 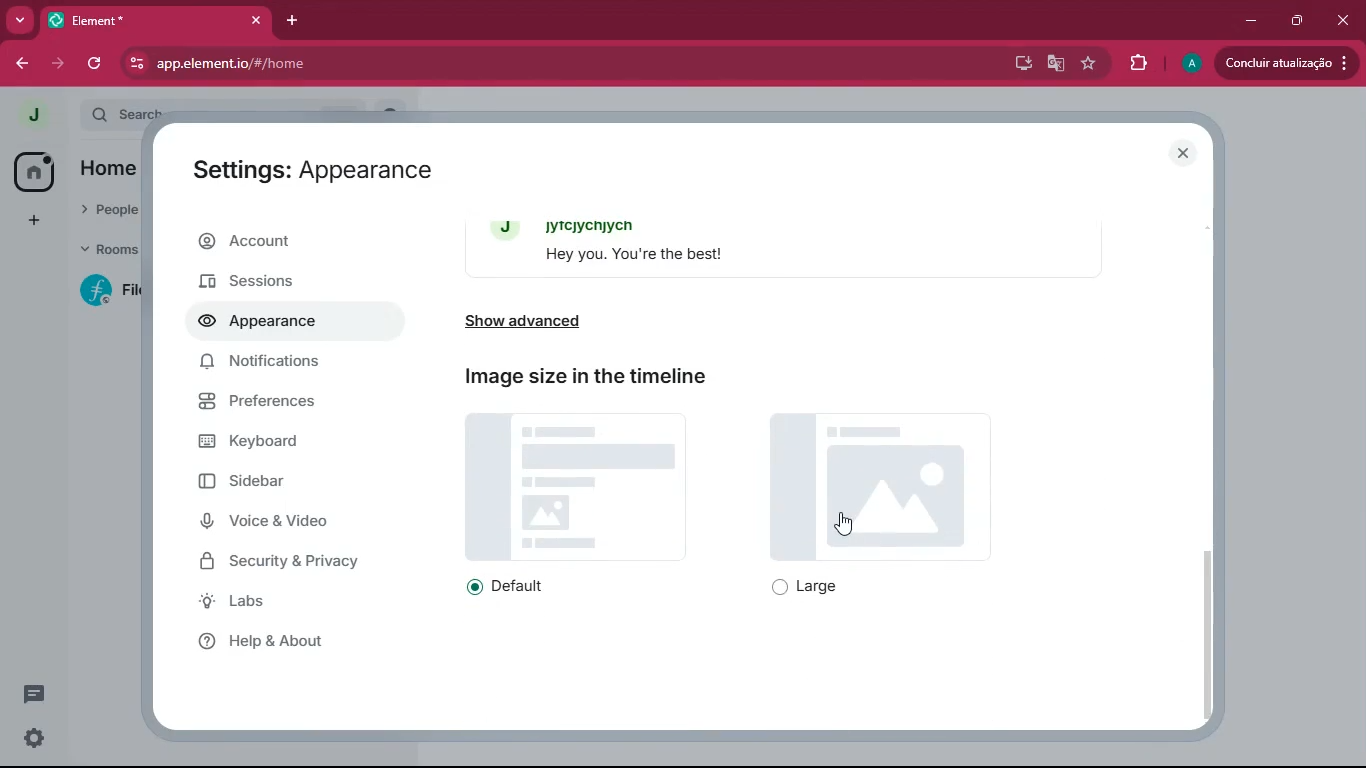 I want to click on back, so click(x=21, y=63).